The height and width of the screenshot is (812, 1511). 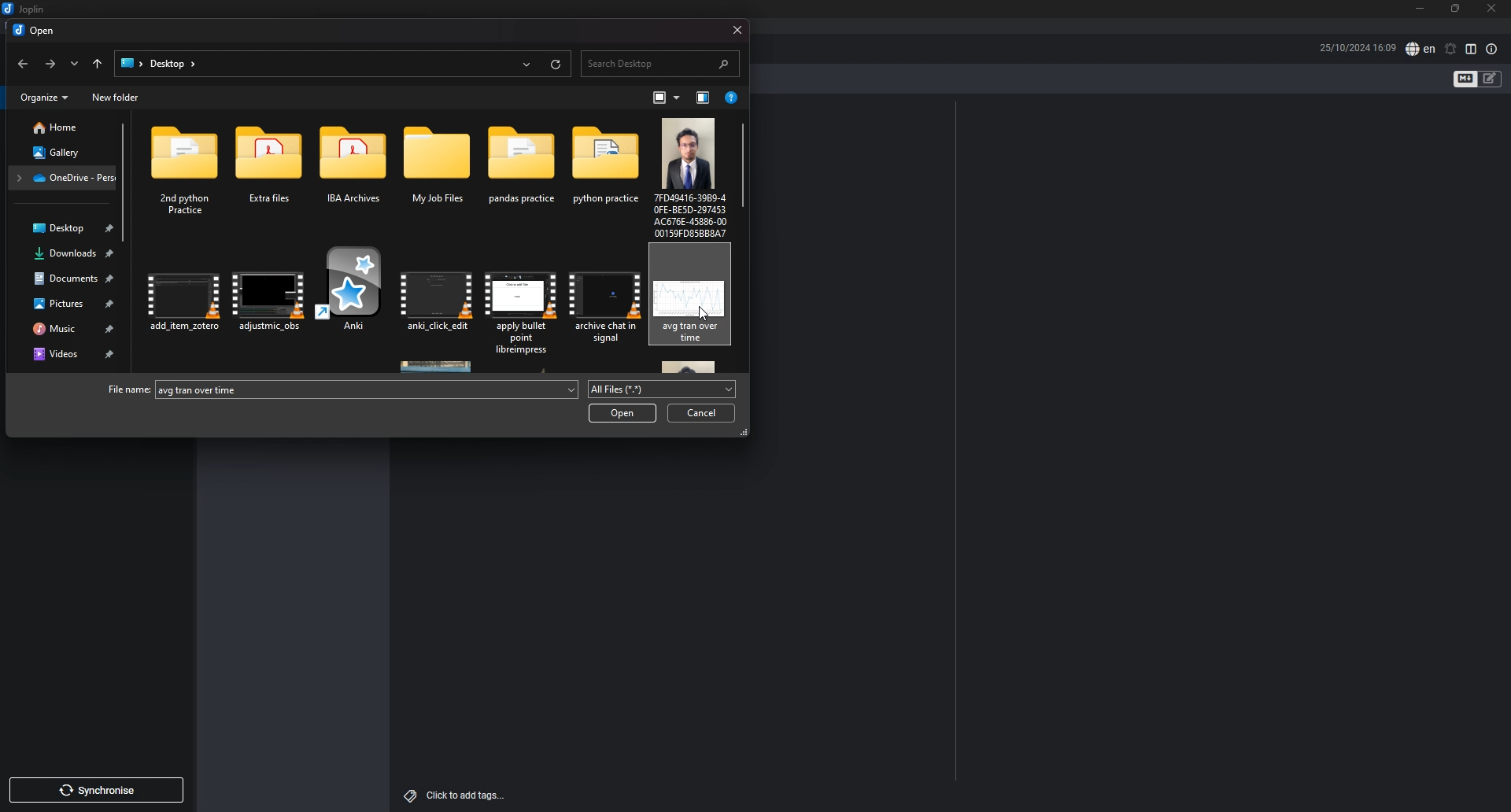 What do you see at coordinates (1491, 79) in the screenshot?
I see `toggle editors` at bounding box center [1491, 79].